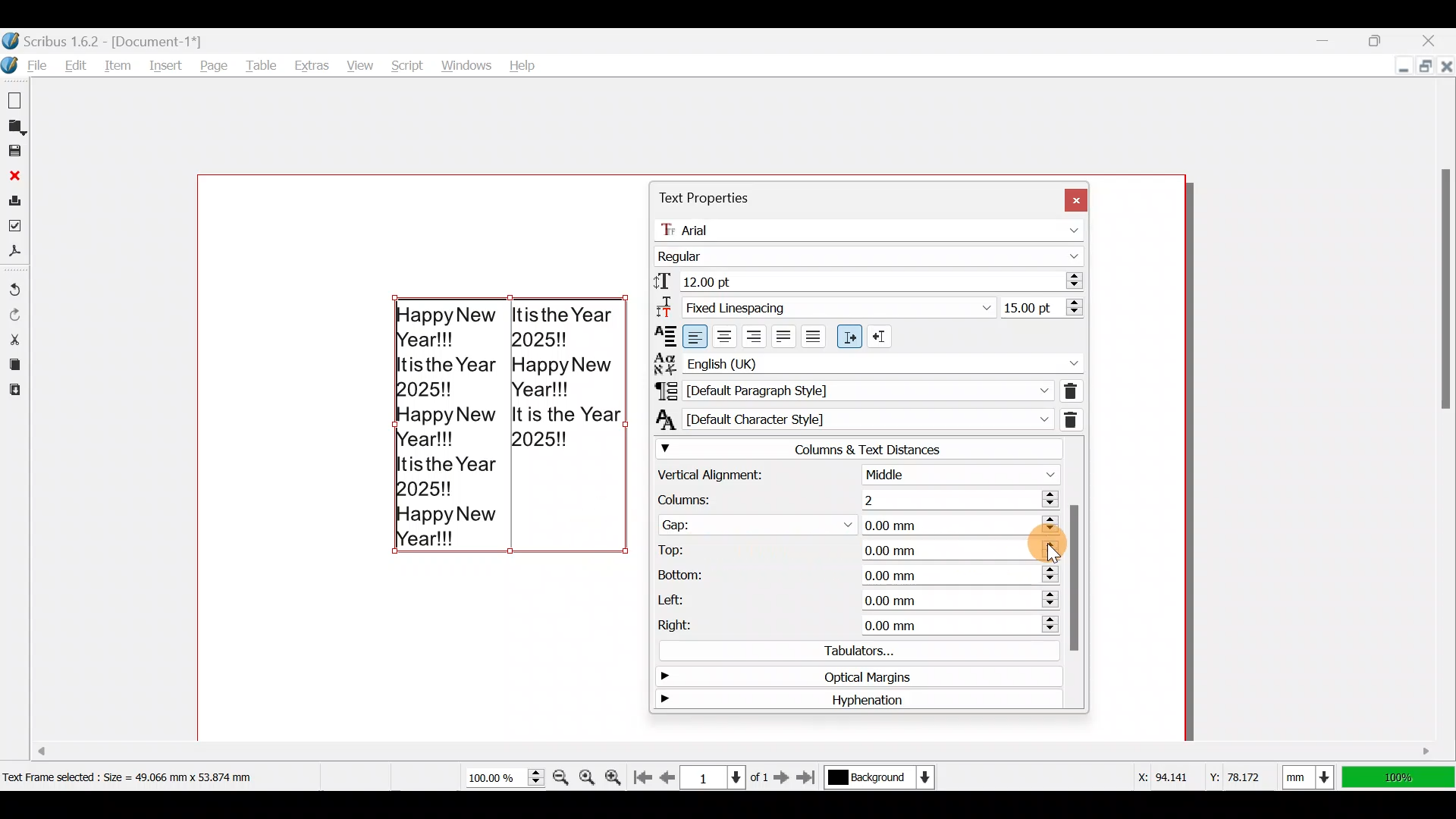 This screenshot has height=819, width=1456. Describe the element at coordinates (17, 127) in the screenshot. I see `Open` at that location.